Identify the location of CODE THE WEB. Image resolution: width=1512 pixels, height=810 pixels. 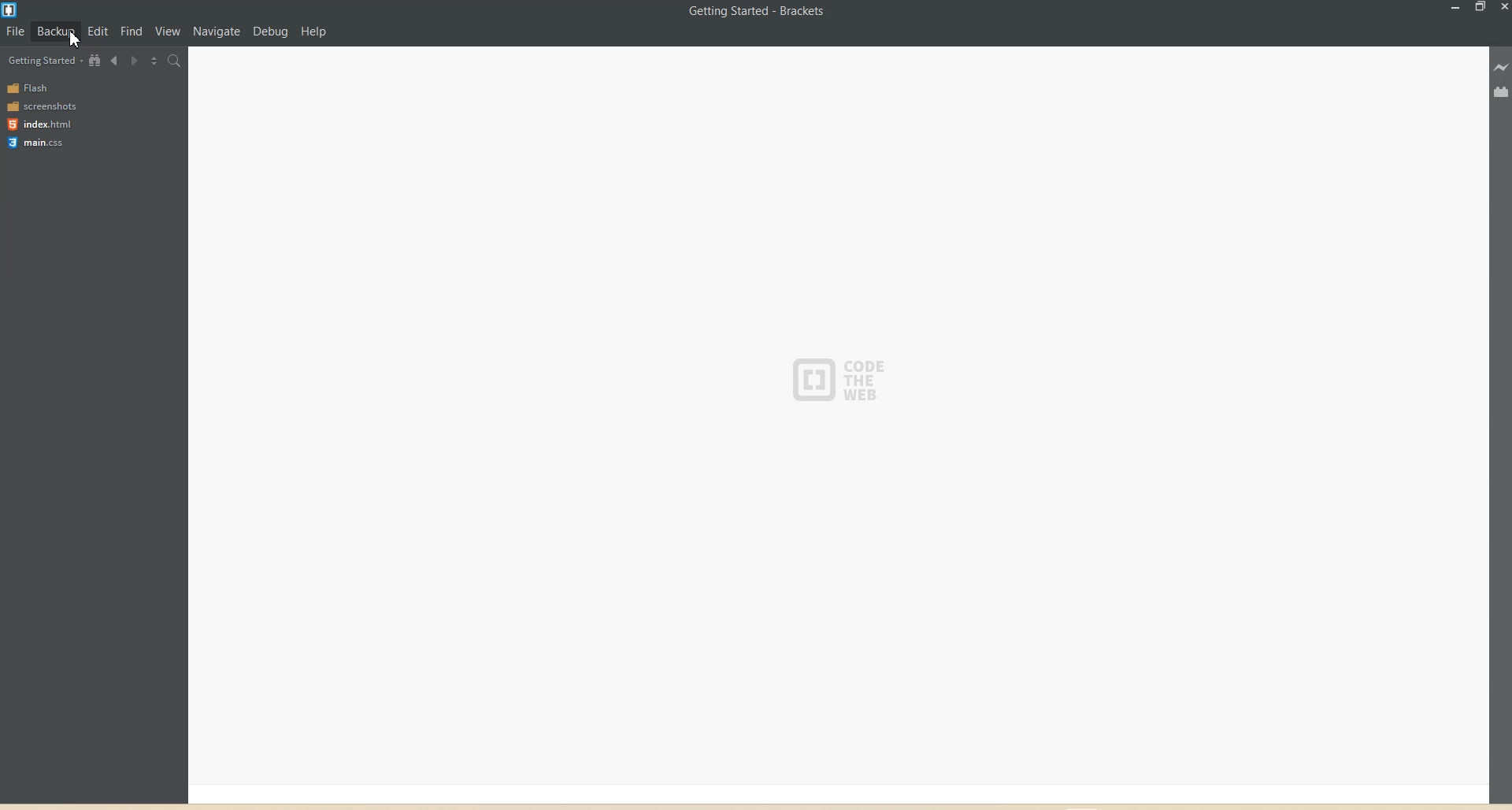
(847, 376).